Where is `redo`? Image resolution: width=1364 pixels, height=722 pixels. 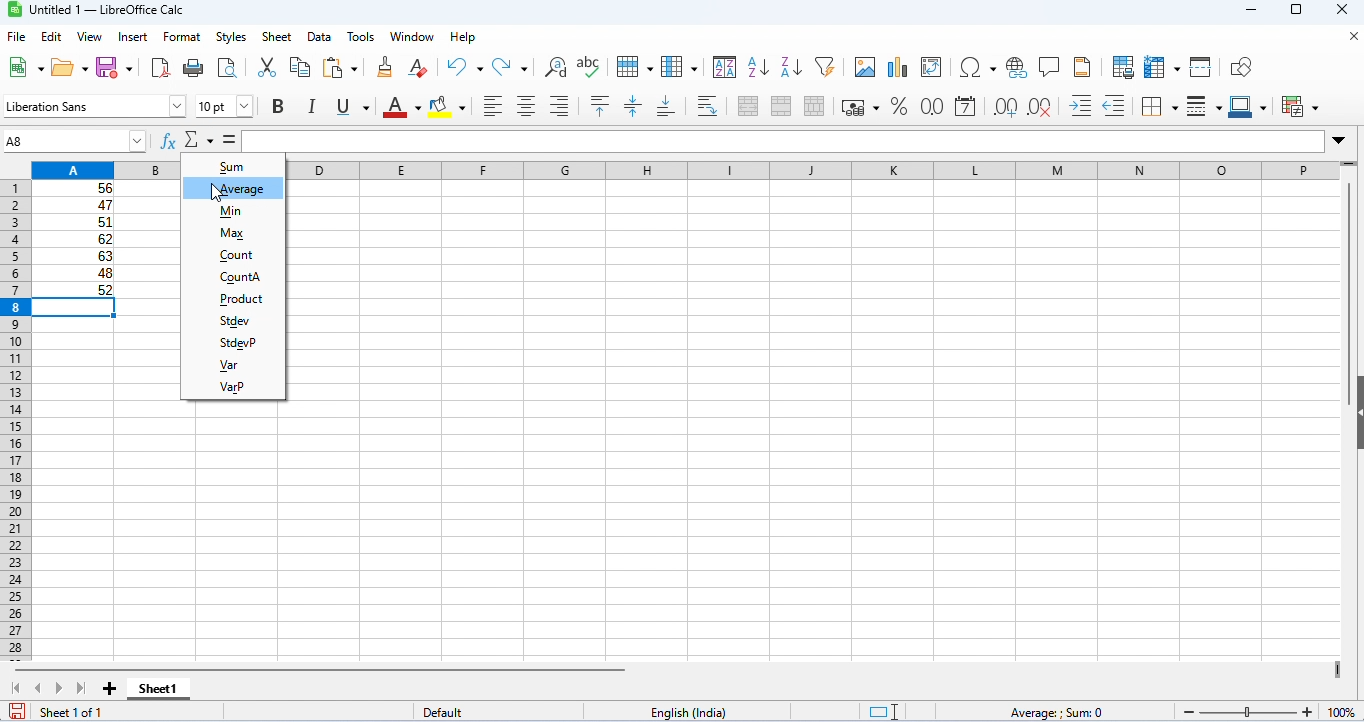
redo is located at coordinates (512, 67).